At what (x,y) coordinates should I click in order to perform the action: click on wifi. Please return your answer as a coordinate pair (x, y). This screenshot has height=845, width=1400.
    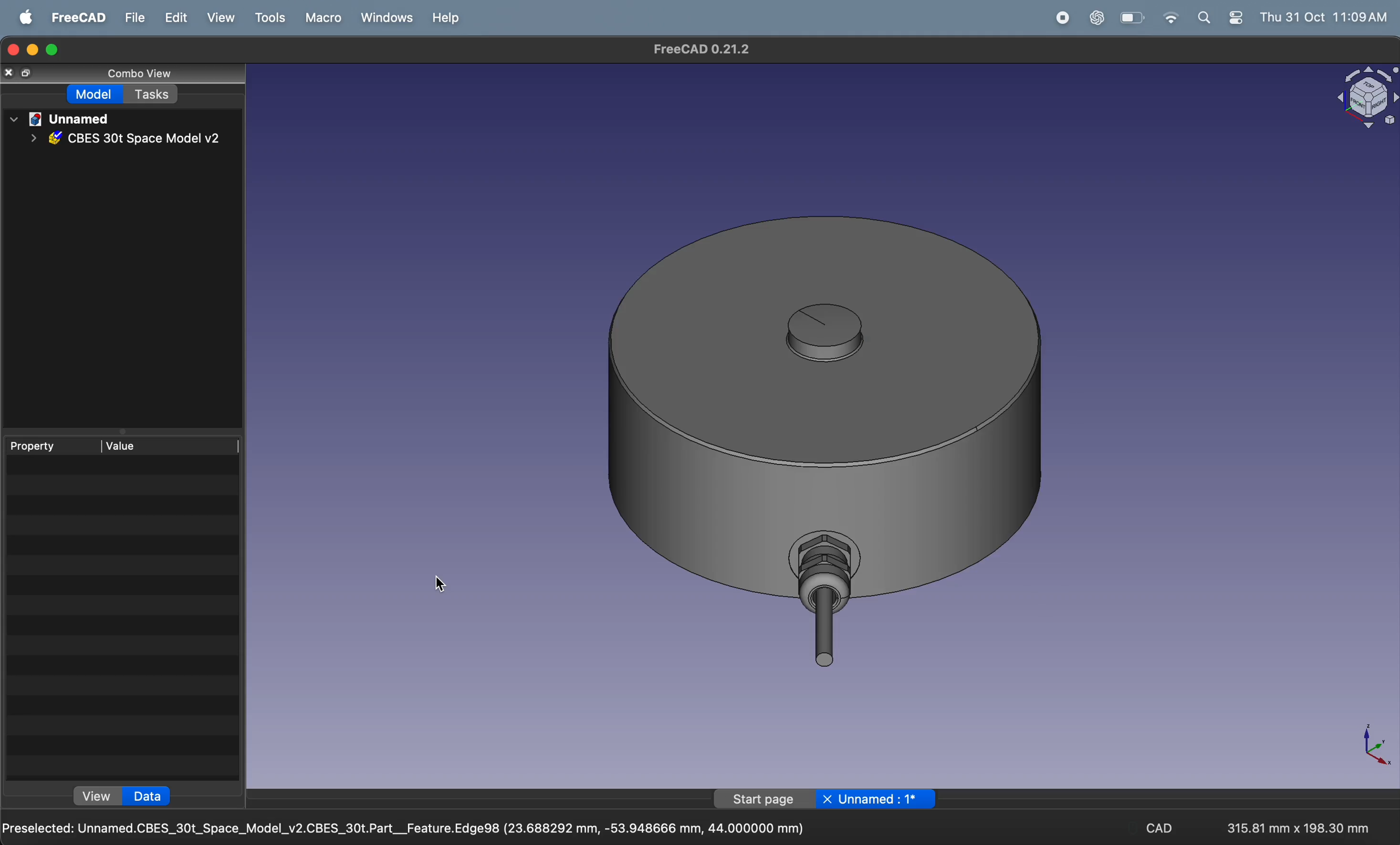
    Looking at the image, I should click on (1168, 18).